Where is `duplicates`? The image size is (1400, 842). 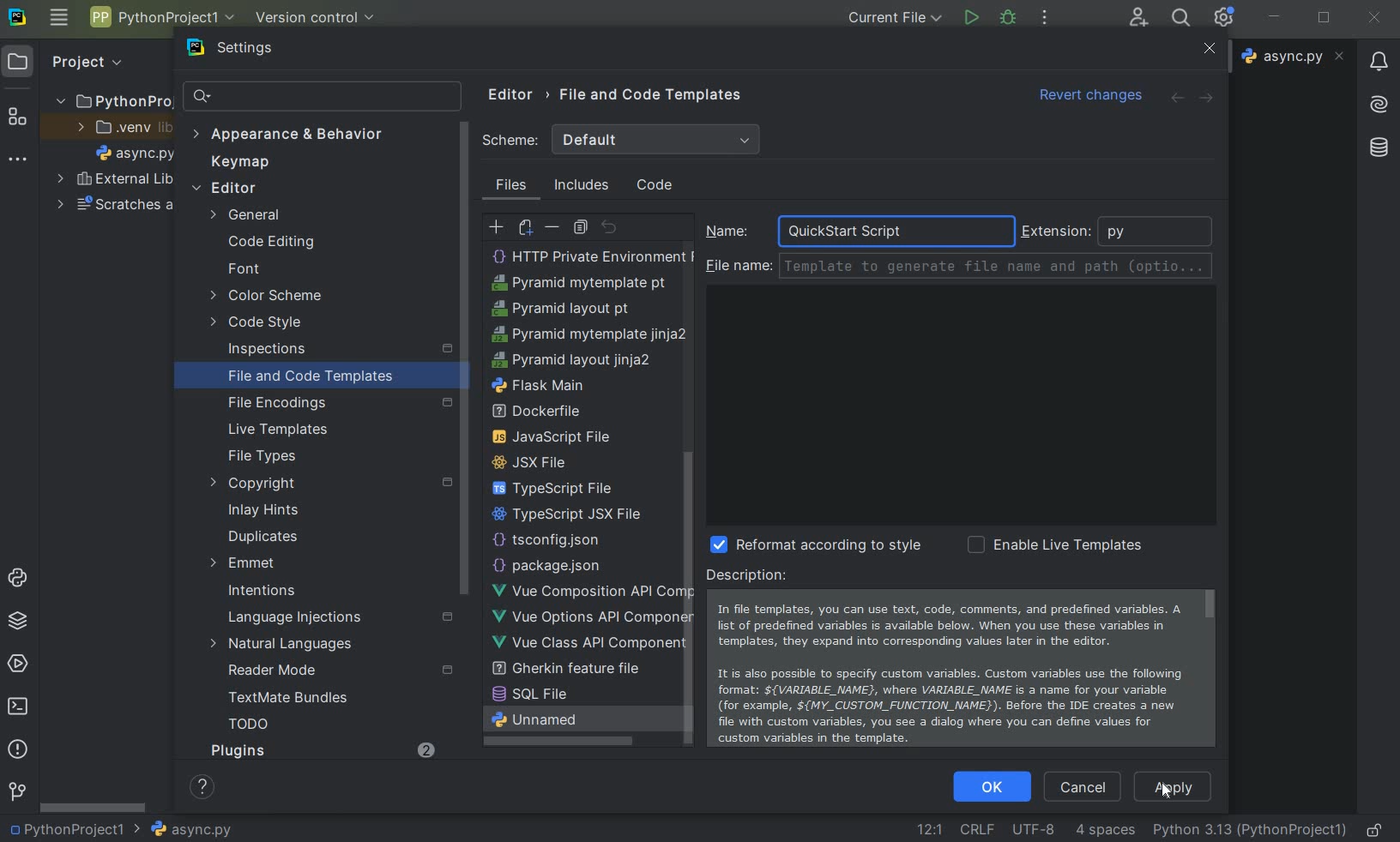 duplicates is located at coordinates (273, 538).